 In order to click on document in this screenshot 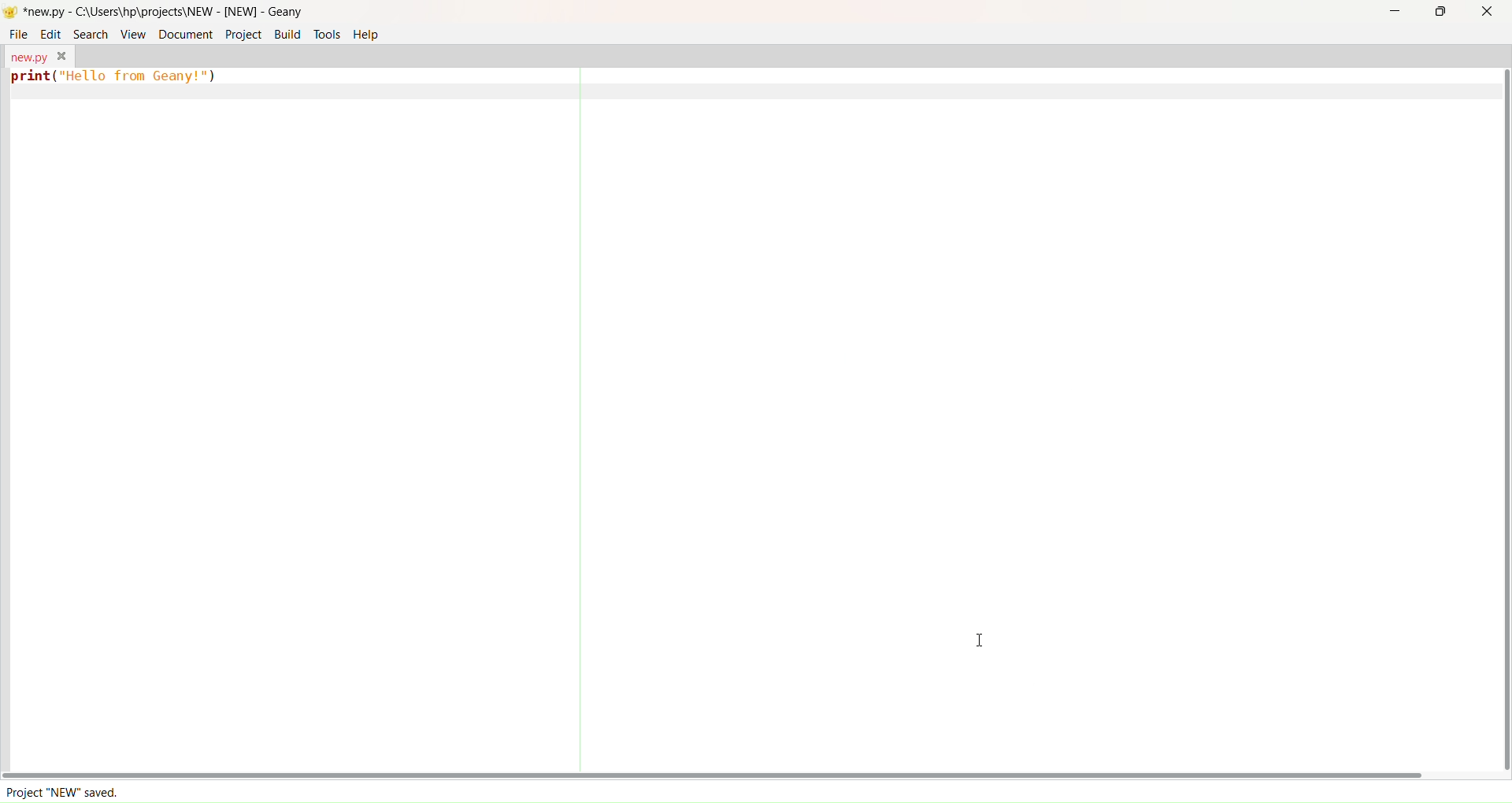, I will do `click(183, 33)`.